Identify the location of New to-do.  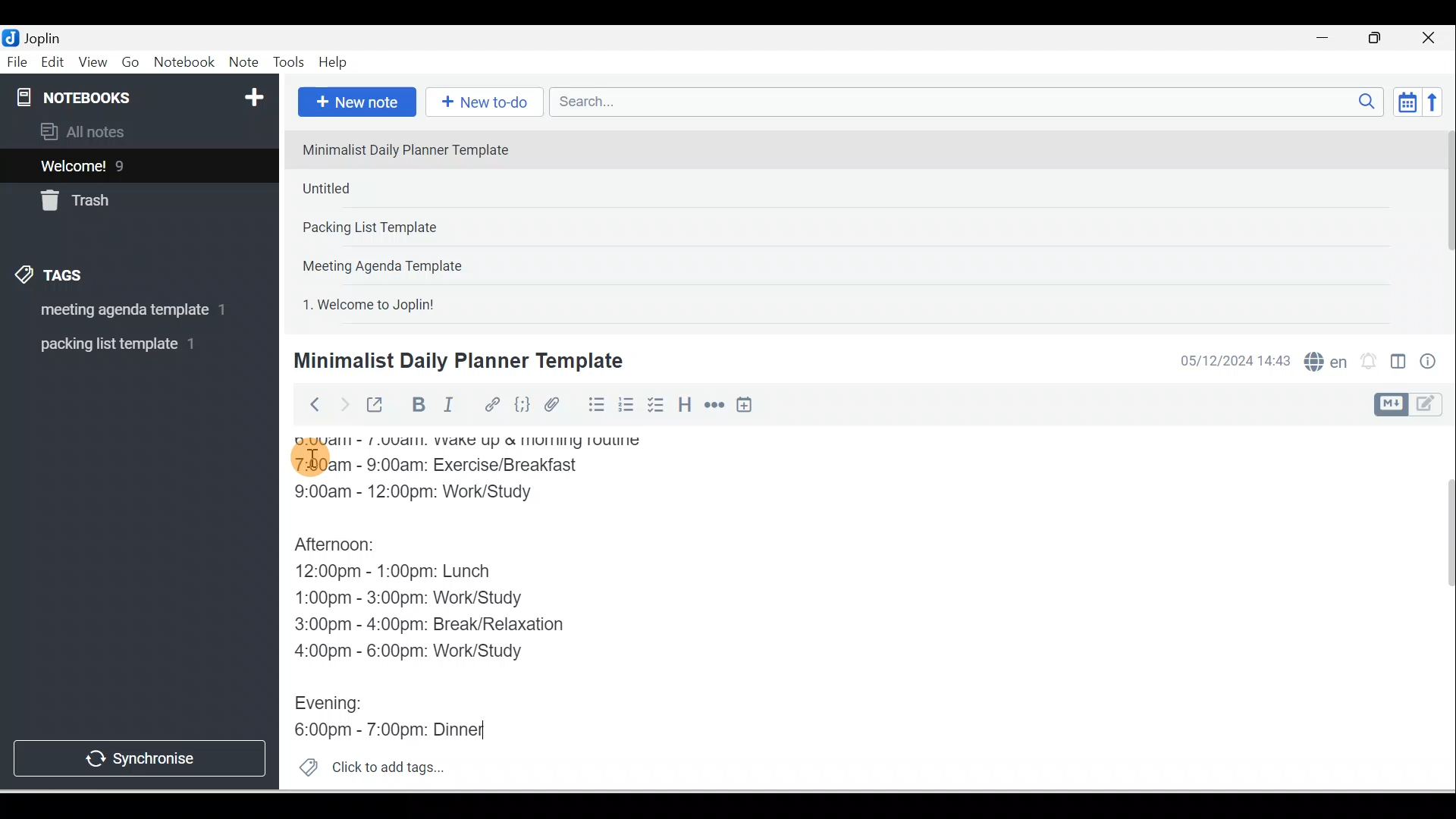
(481, 103).